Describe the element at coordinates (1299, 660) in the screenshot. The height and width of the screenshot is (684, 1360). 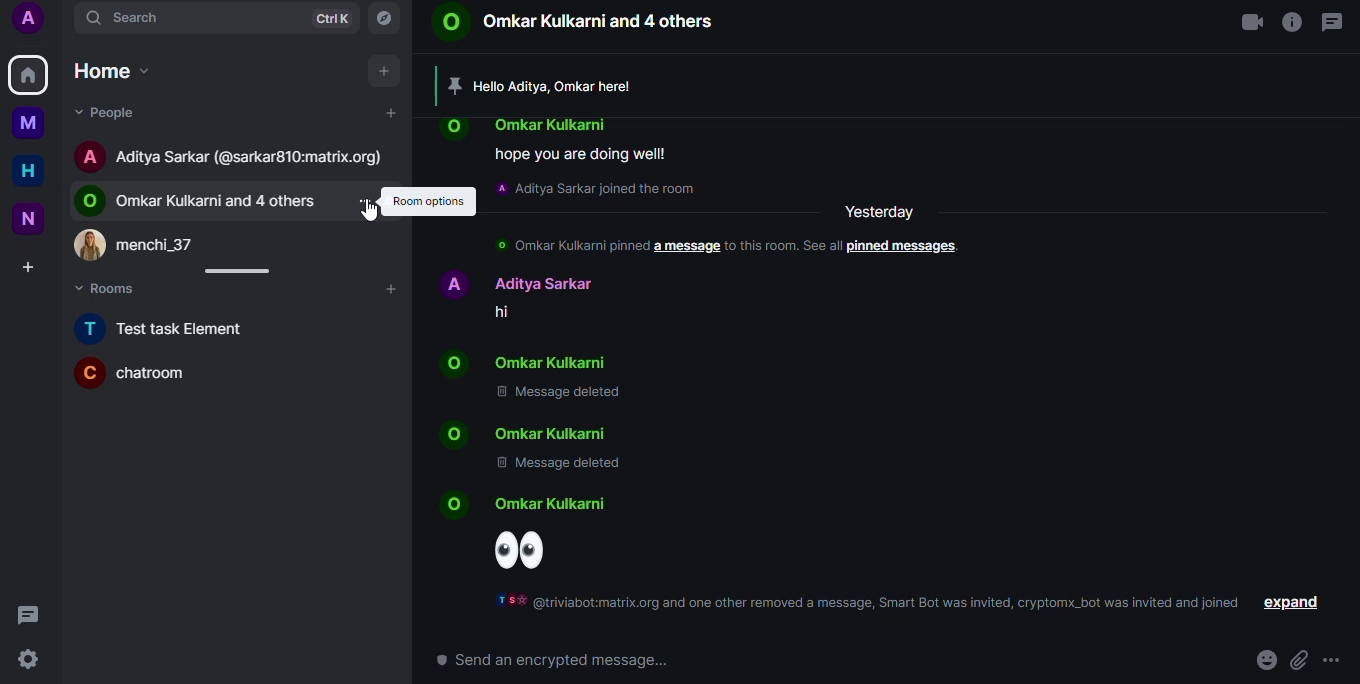
I see `attach` at that location.